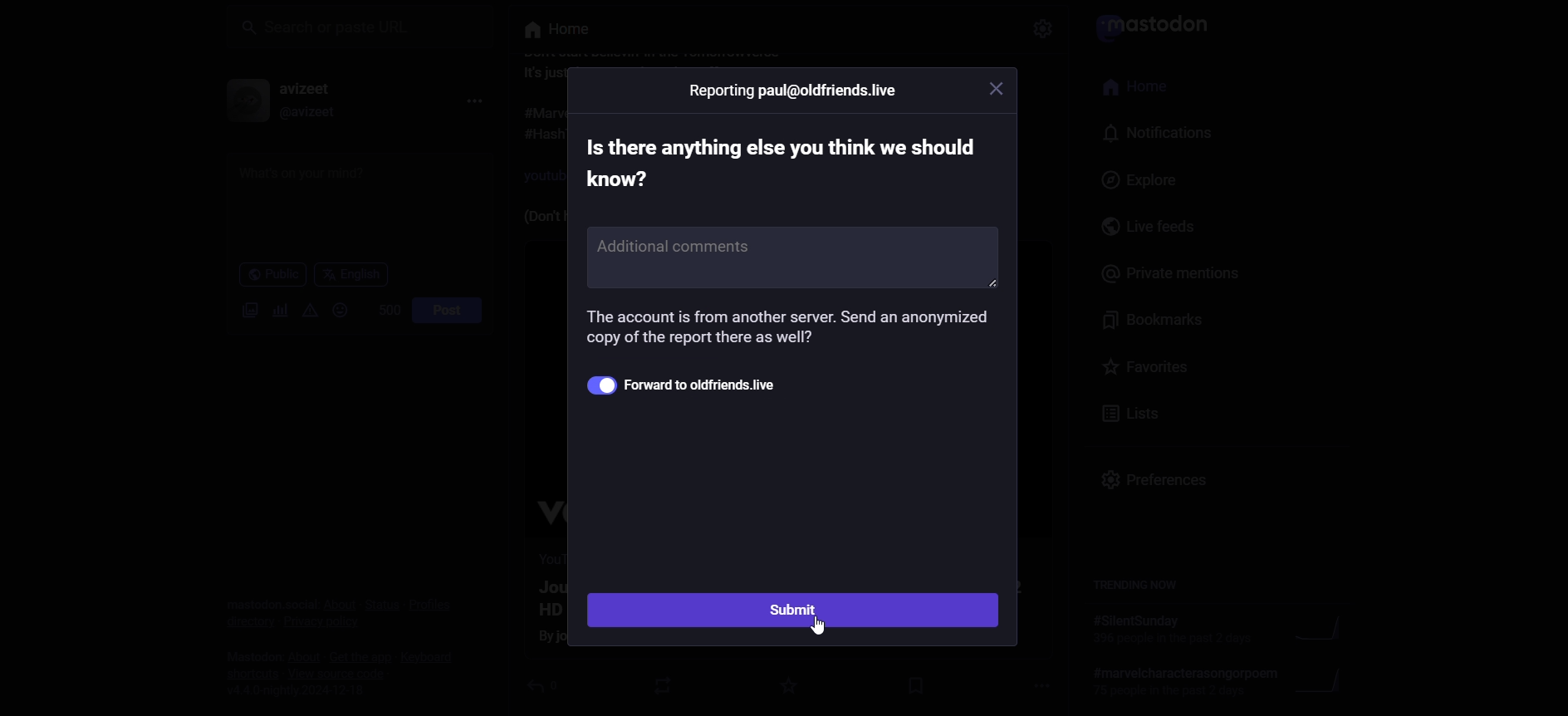 The height and width of the screenshot is (716, 1568). I want to click on bookmarks, so click(1162, 319).